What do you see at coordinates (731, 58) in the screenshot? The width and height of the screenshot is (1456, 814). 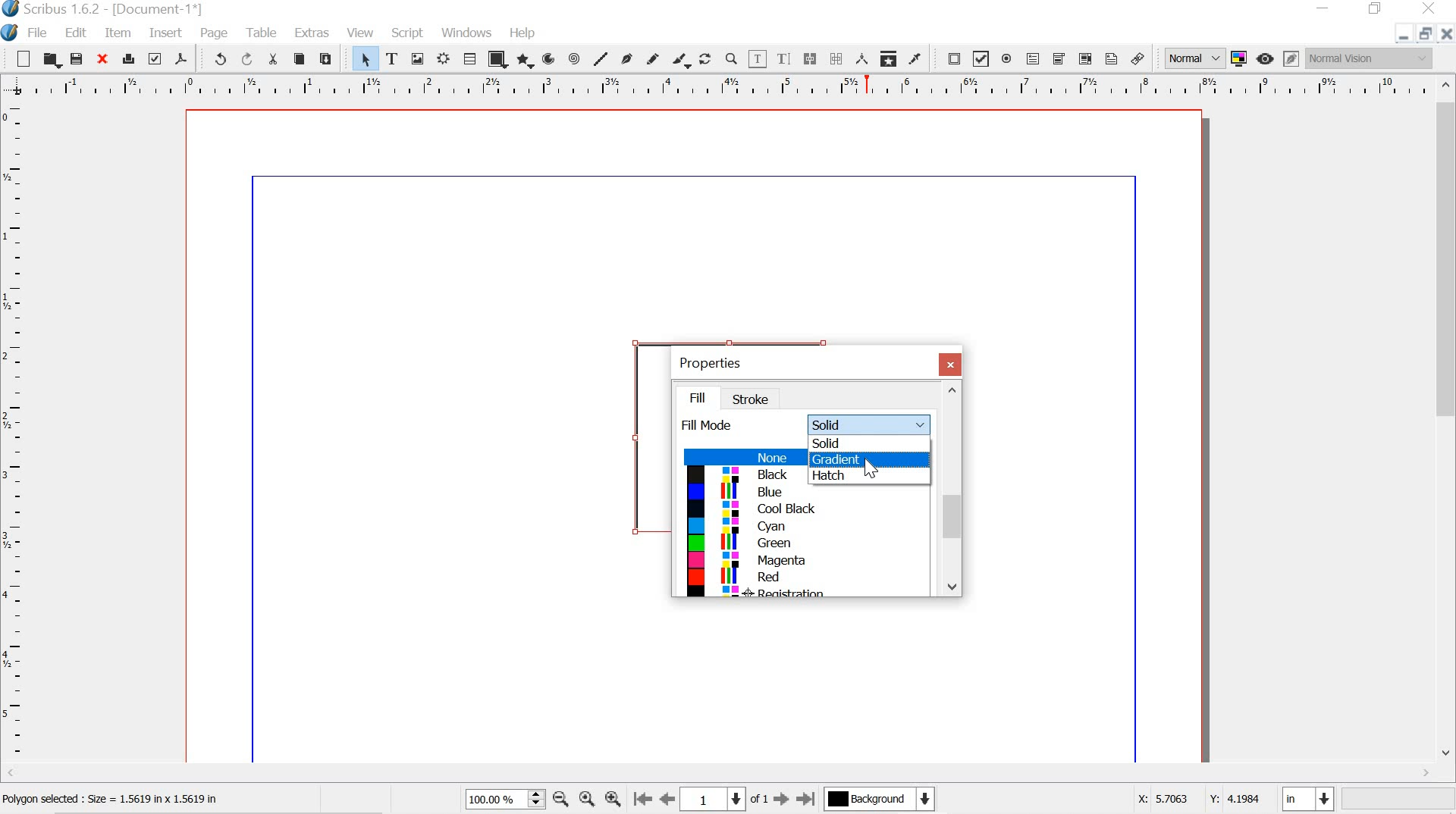 I see `zoom in or zoom out` at bounding box center [731, 58].